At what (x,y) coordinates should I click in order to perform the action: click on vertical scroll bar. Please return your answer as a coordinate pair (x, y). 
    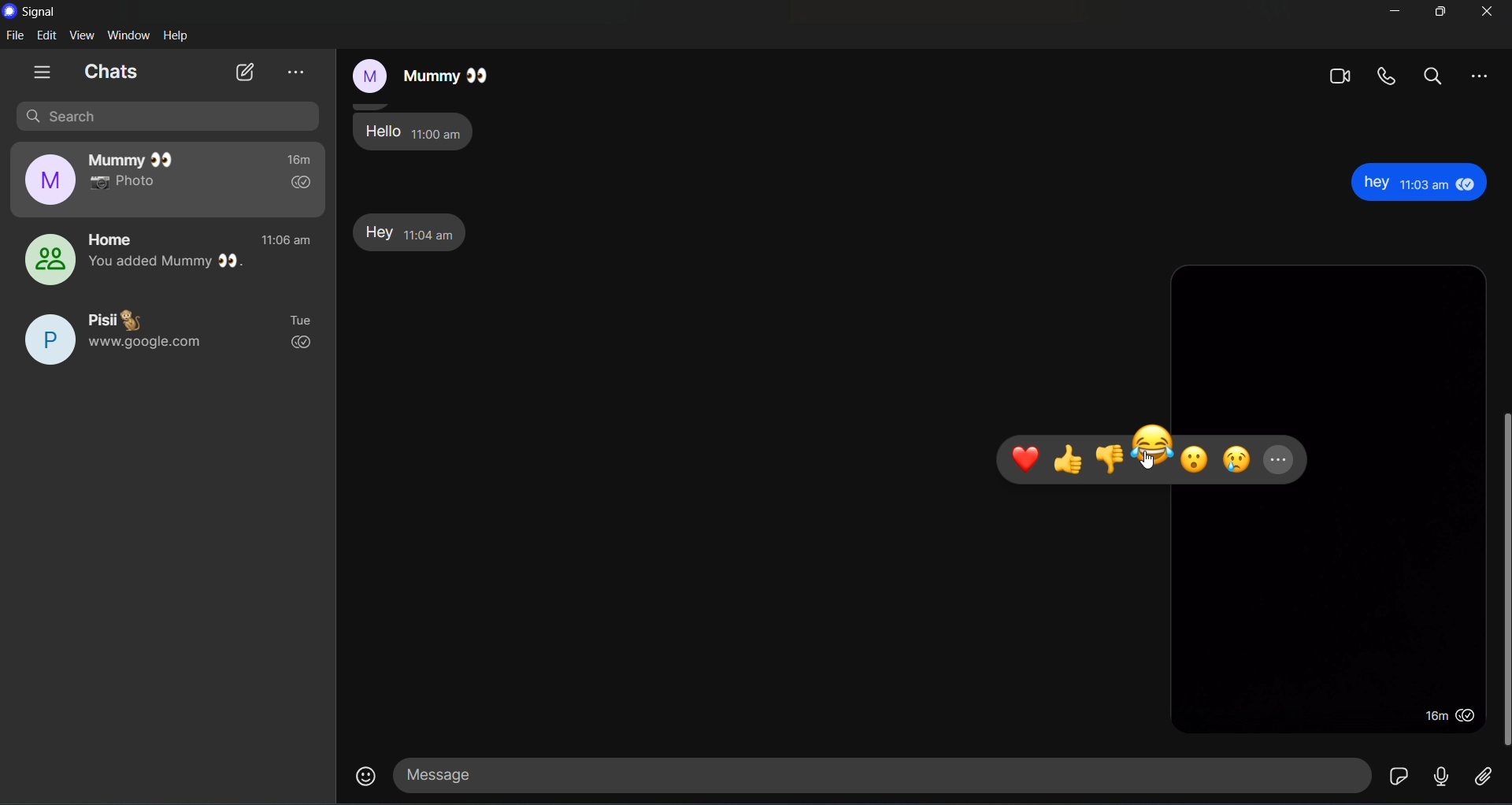
    Looking at the image, I should click on (1503, 581).